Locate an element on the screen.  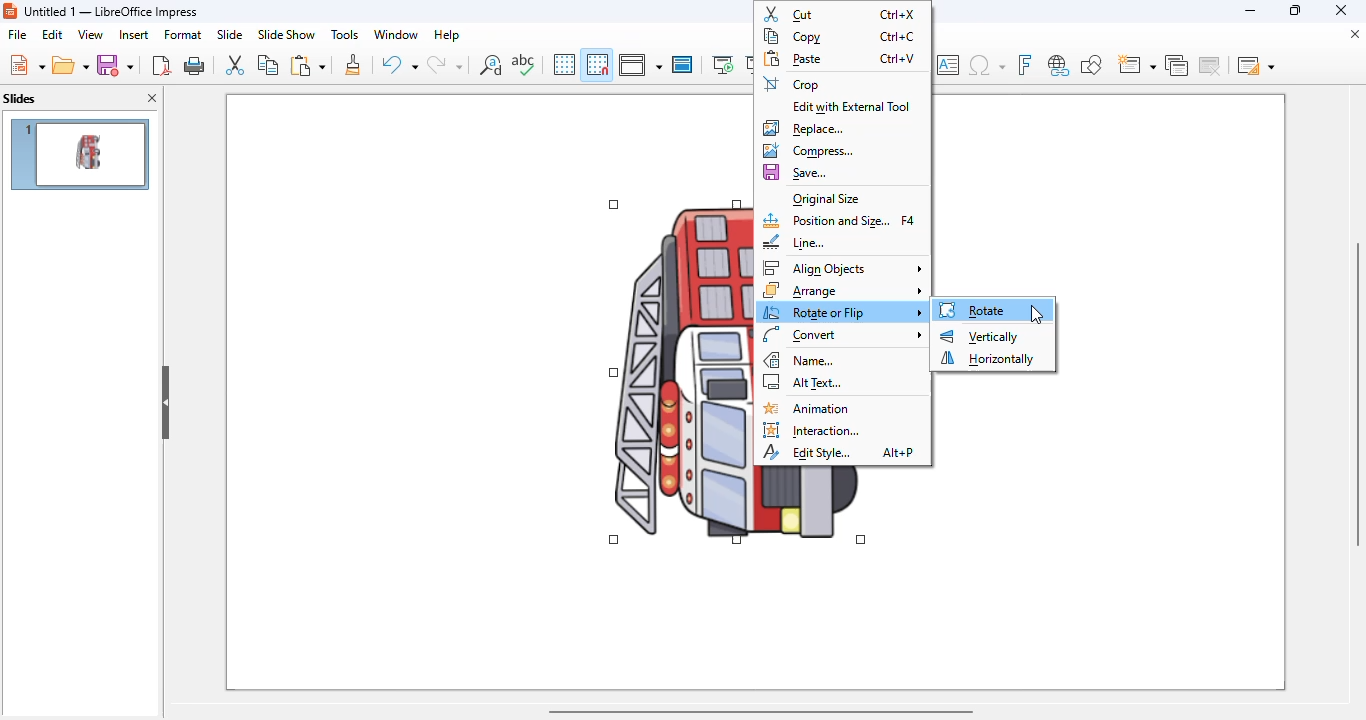
close pane is located at coordinates (152, 97).